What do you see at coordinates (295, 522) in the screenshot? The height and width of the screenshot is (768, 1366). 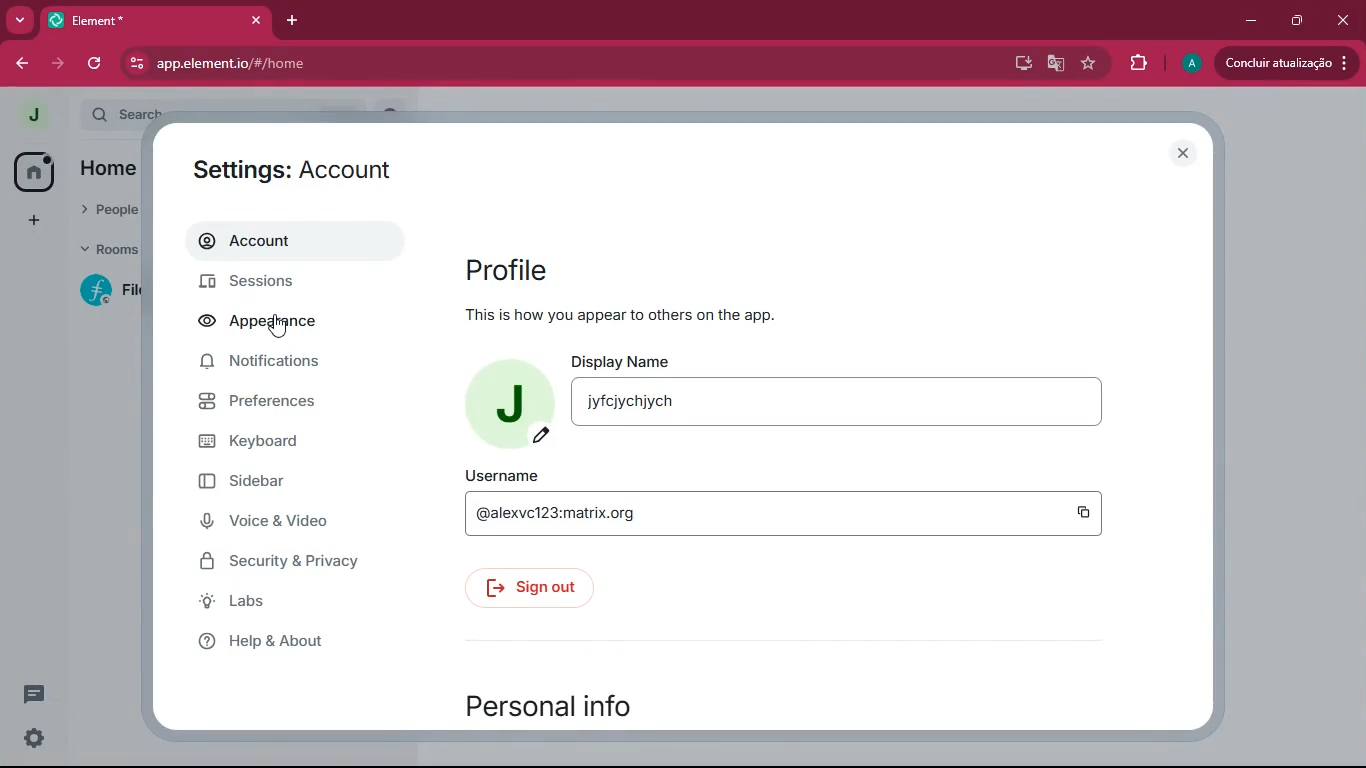 I see `voice` at bounding box center [295, 522].